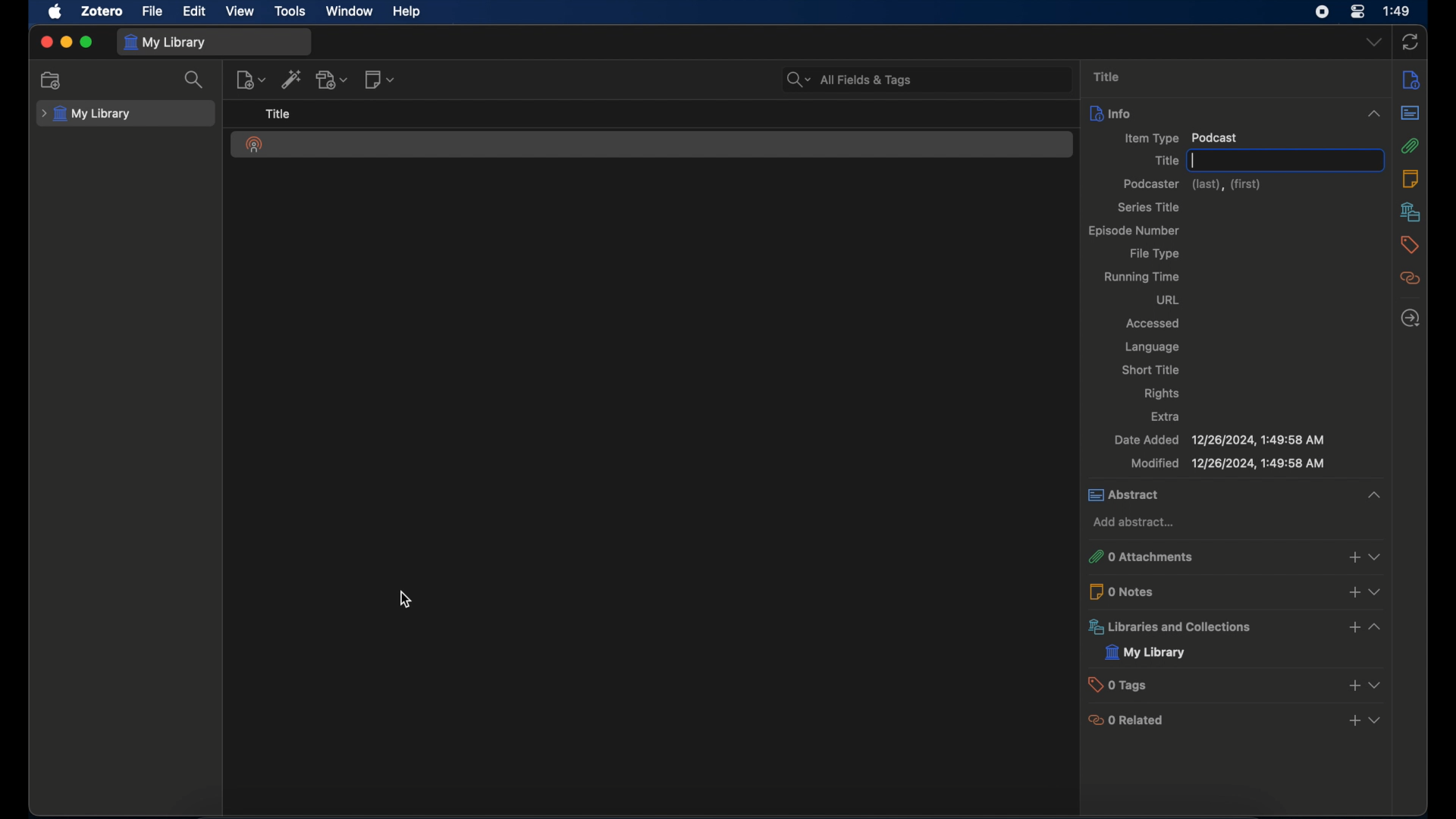 Image resolution: width=1456 pixels, height=819 pixels. Describe the element at coordinates (1410, 245) in the screenshot. I see `tags` at that location.